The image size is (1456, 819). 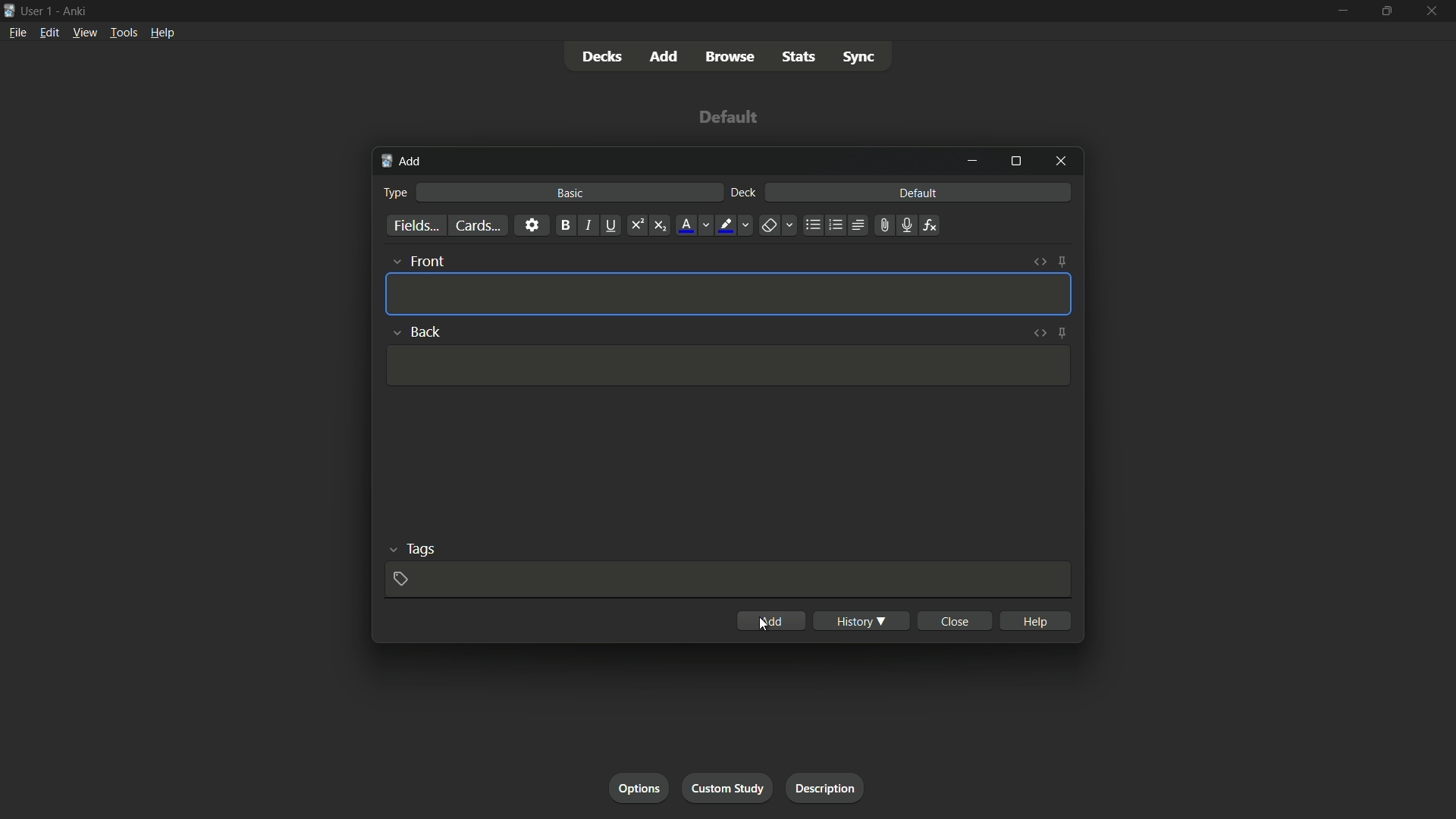 I want to click on view, so click(x=85, y=33).